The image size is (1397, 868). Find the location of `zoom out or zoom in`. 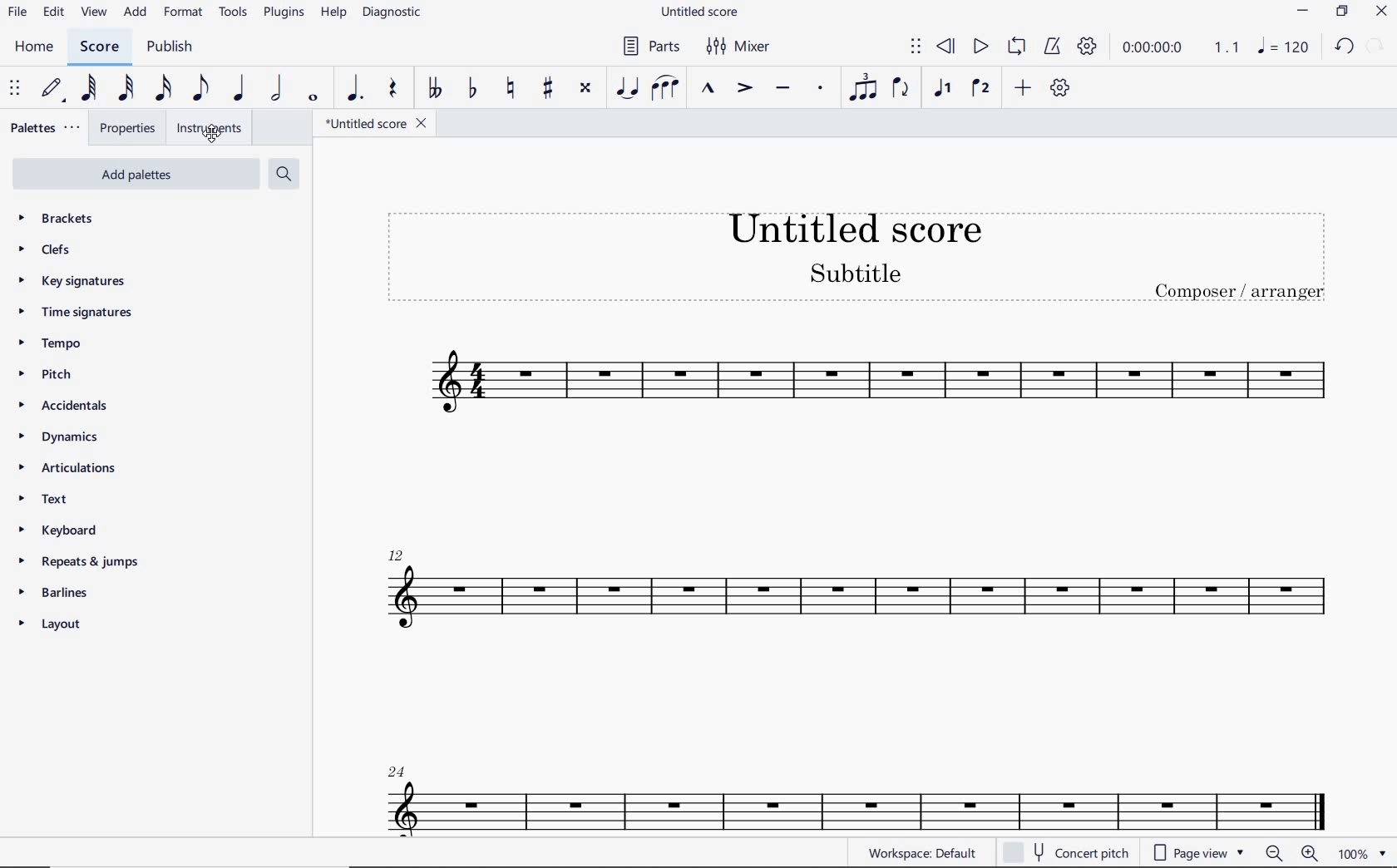

zoom out or zoom in is located at coordinates (1294, 852).